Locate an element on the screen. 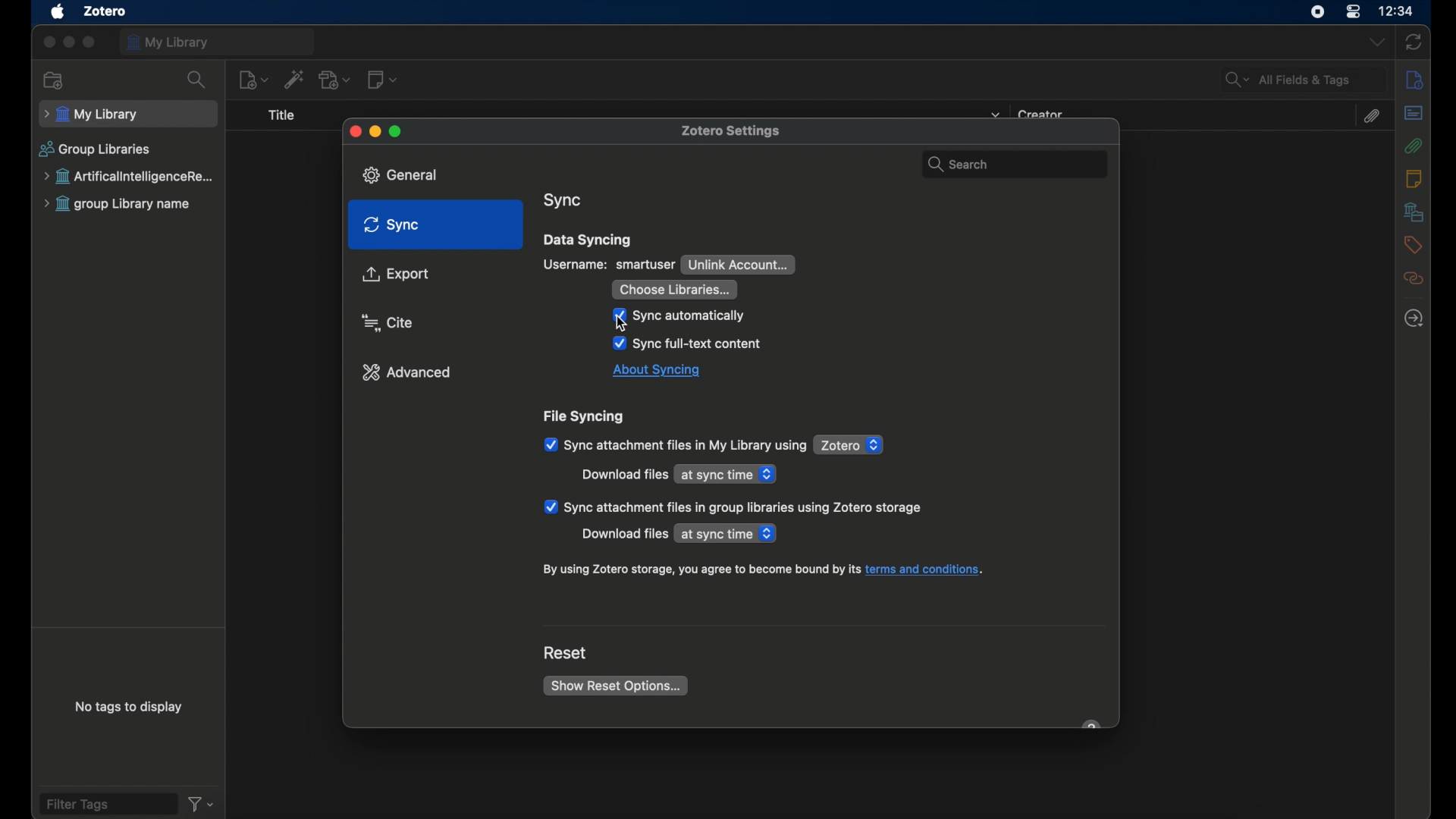 This screenshot has width=1456, height=819. new collection is located at coordinates (54, 80).